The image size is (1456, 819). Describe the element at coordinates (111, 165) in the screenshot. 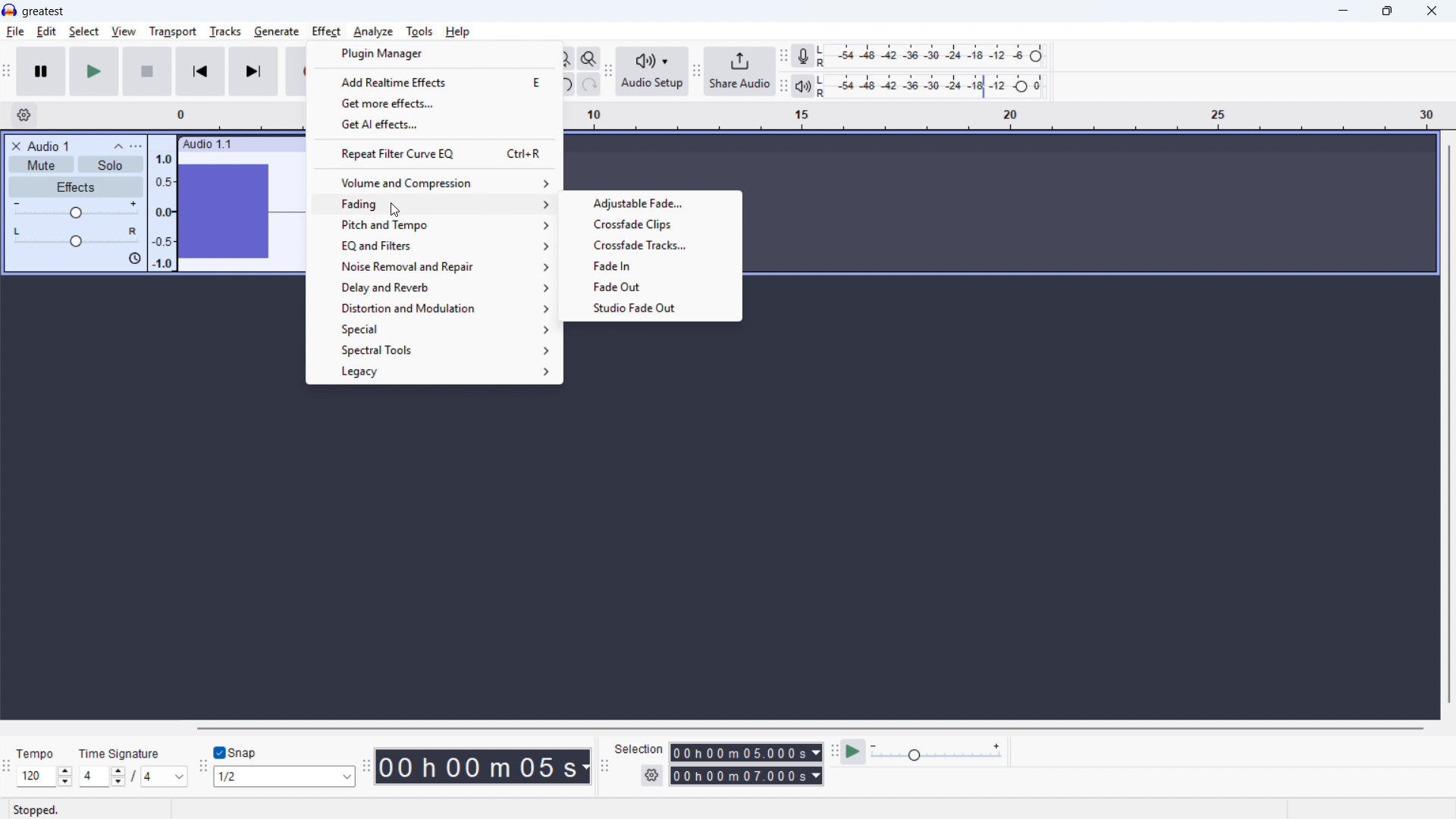

I see `Solo ` at that location.